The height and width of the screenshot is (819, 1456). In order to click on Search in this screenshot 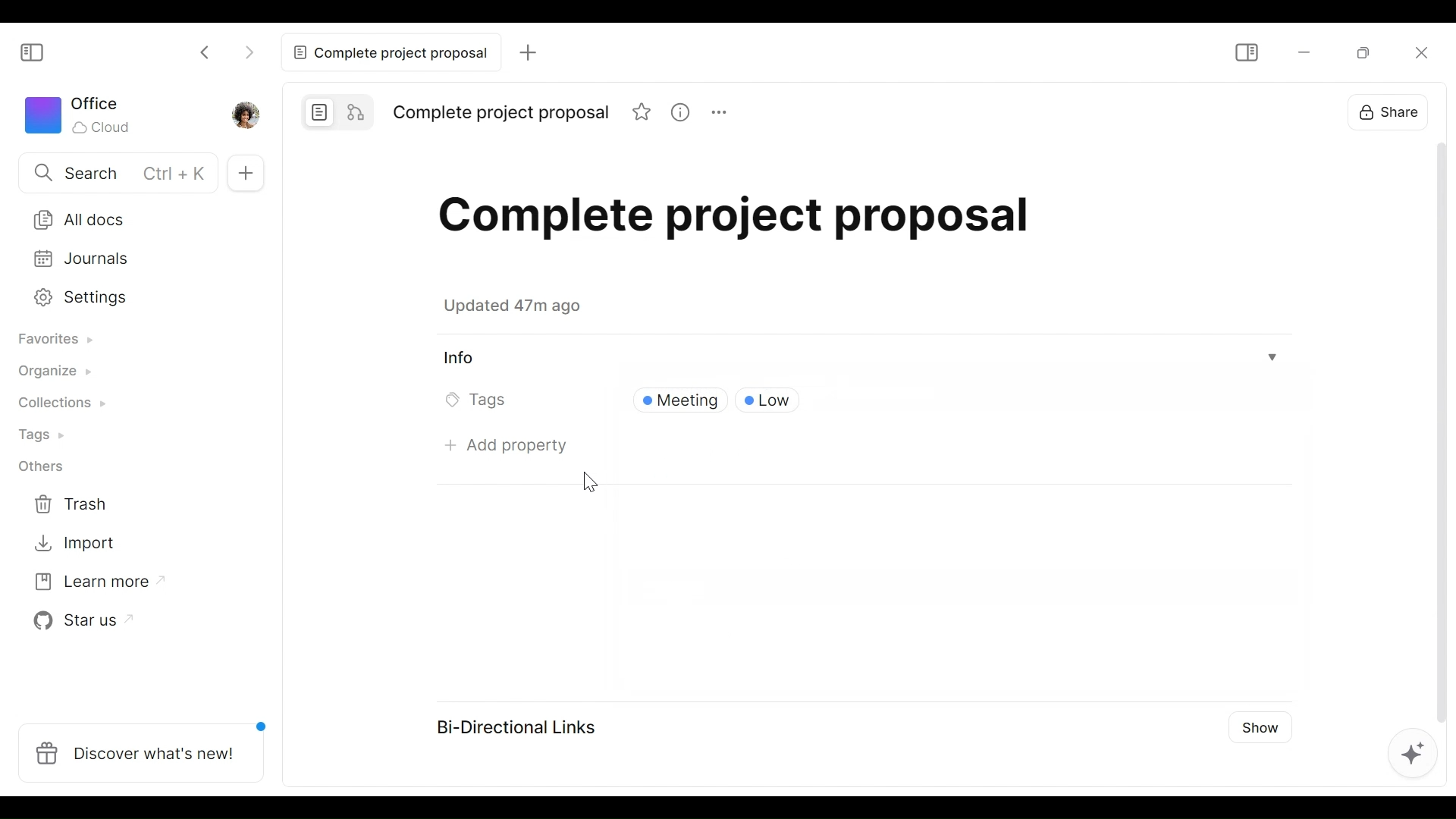, I will do `click(112, 172)`.